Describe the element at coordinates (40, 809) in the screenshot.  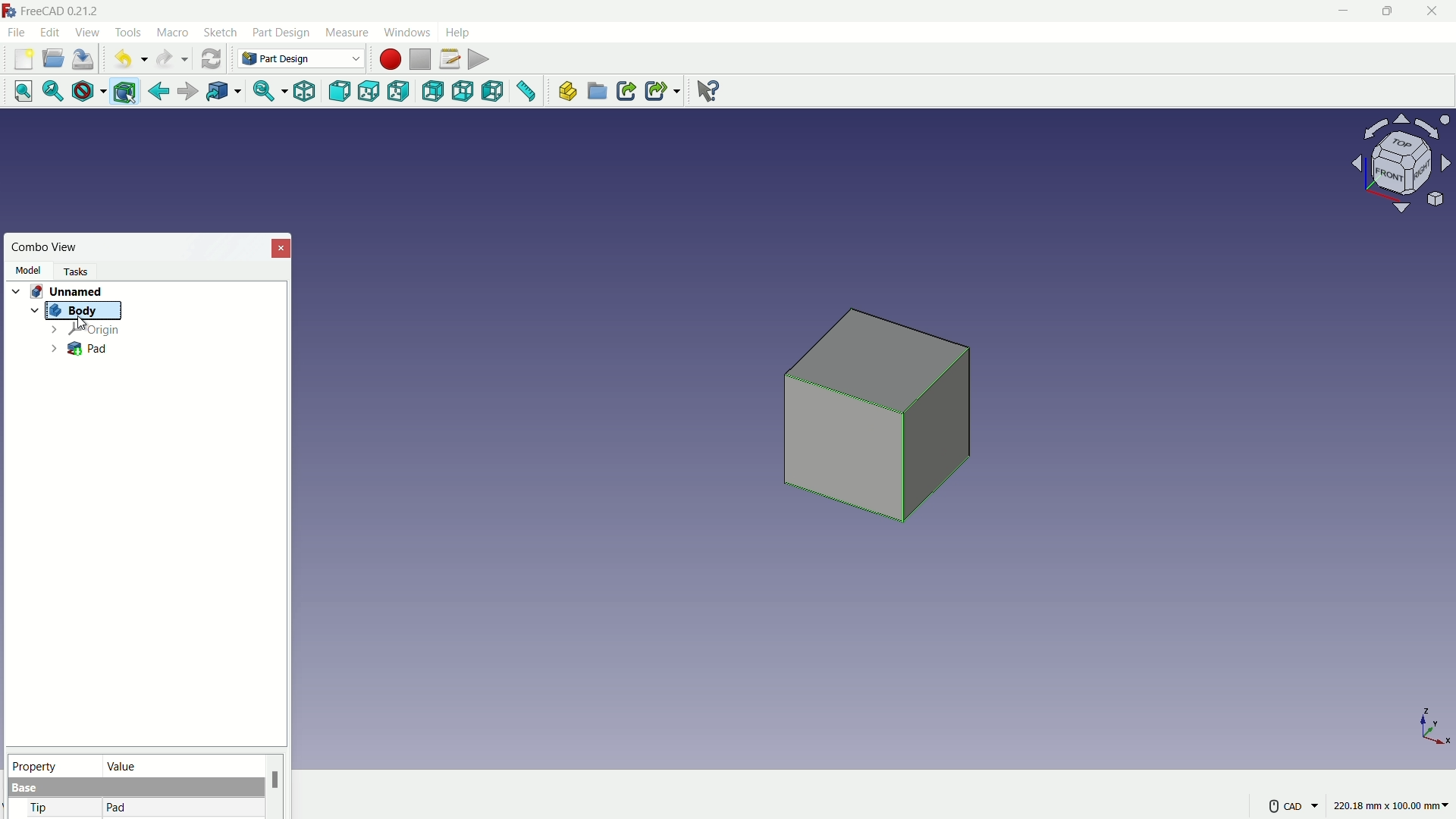
I see `tip` at that location.